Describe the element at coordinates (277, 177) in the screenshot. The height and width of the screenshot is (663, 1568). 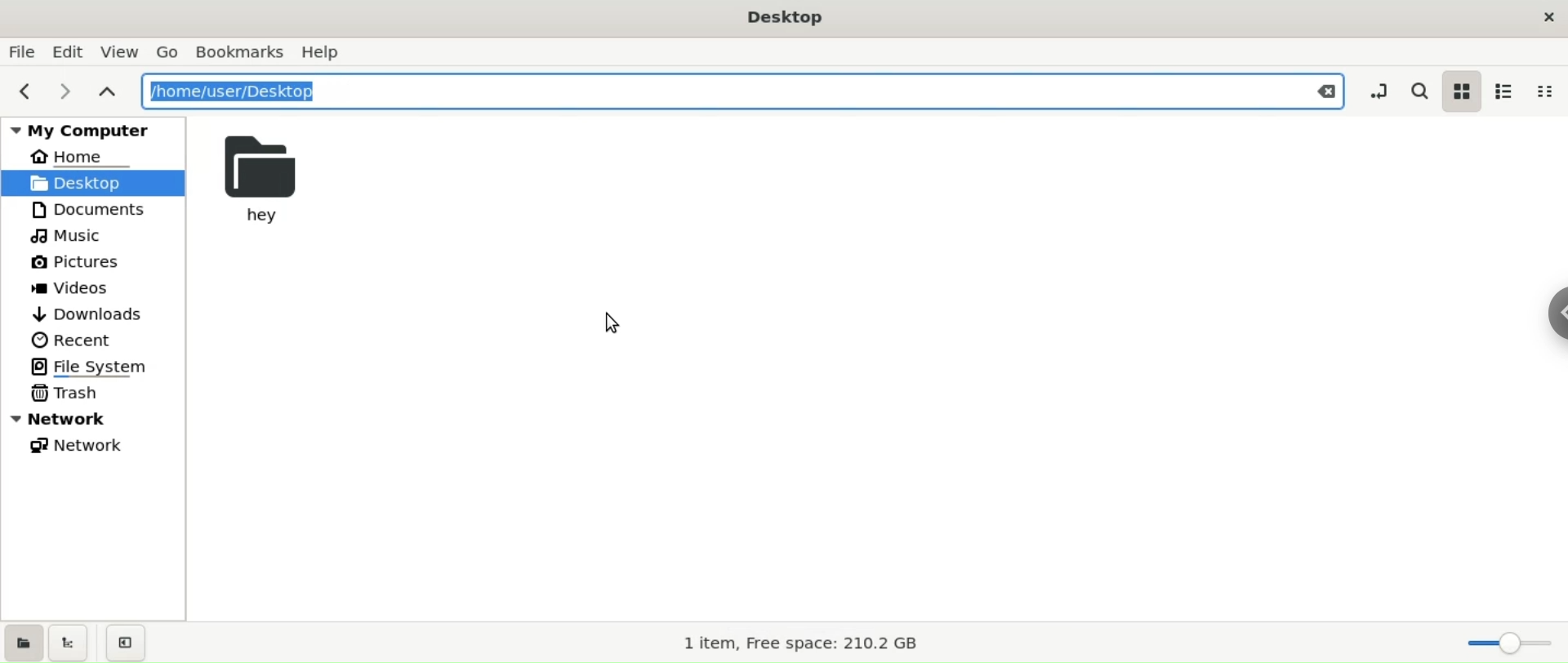
I see `hey` at that location.